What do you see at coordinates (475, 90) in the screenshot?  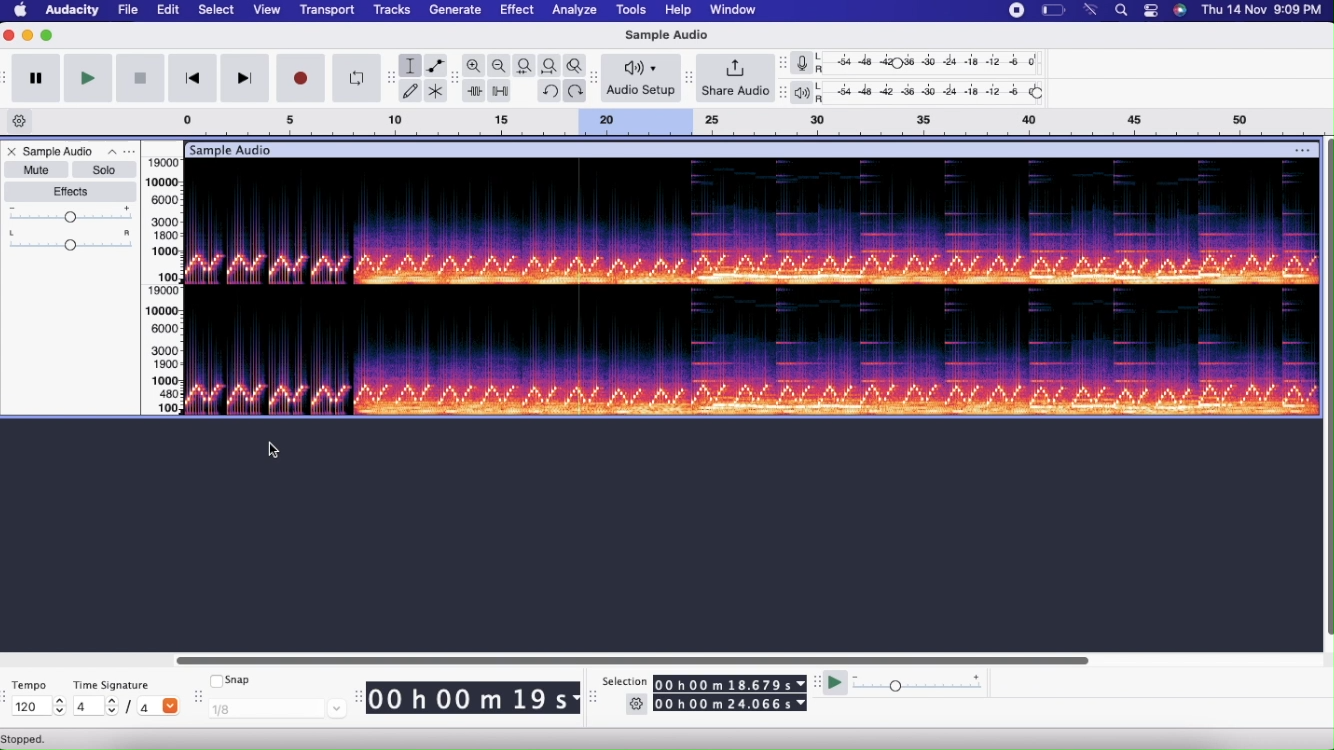 I see `Trim outside selection` at bounding box center [475, 90].